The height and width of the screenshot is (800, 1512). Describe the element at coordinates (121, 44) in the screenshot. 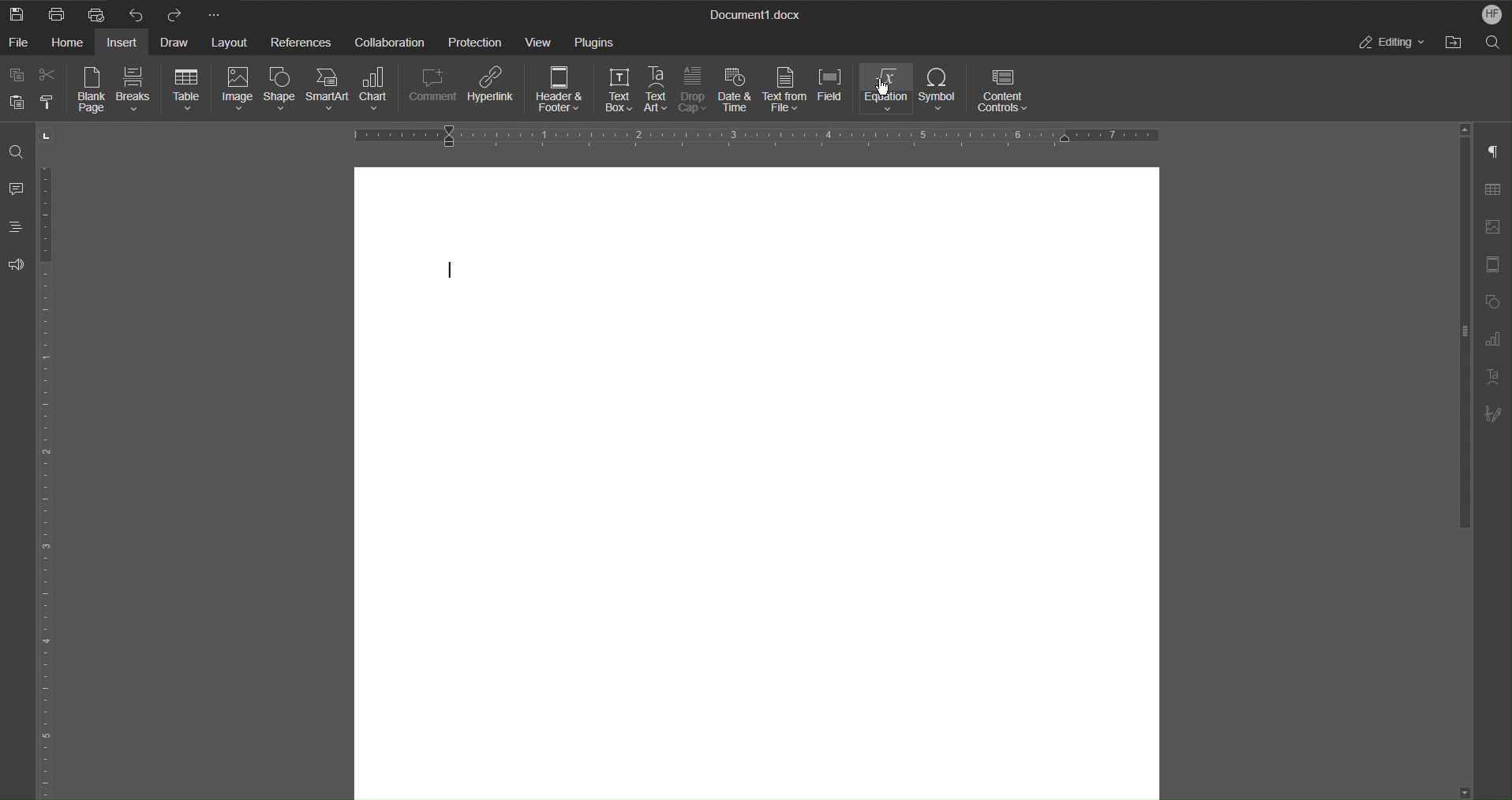

I see `Insert` at that location.